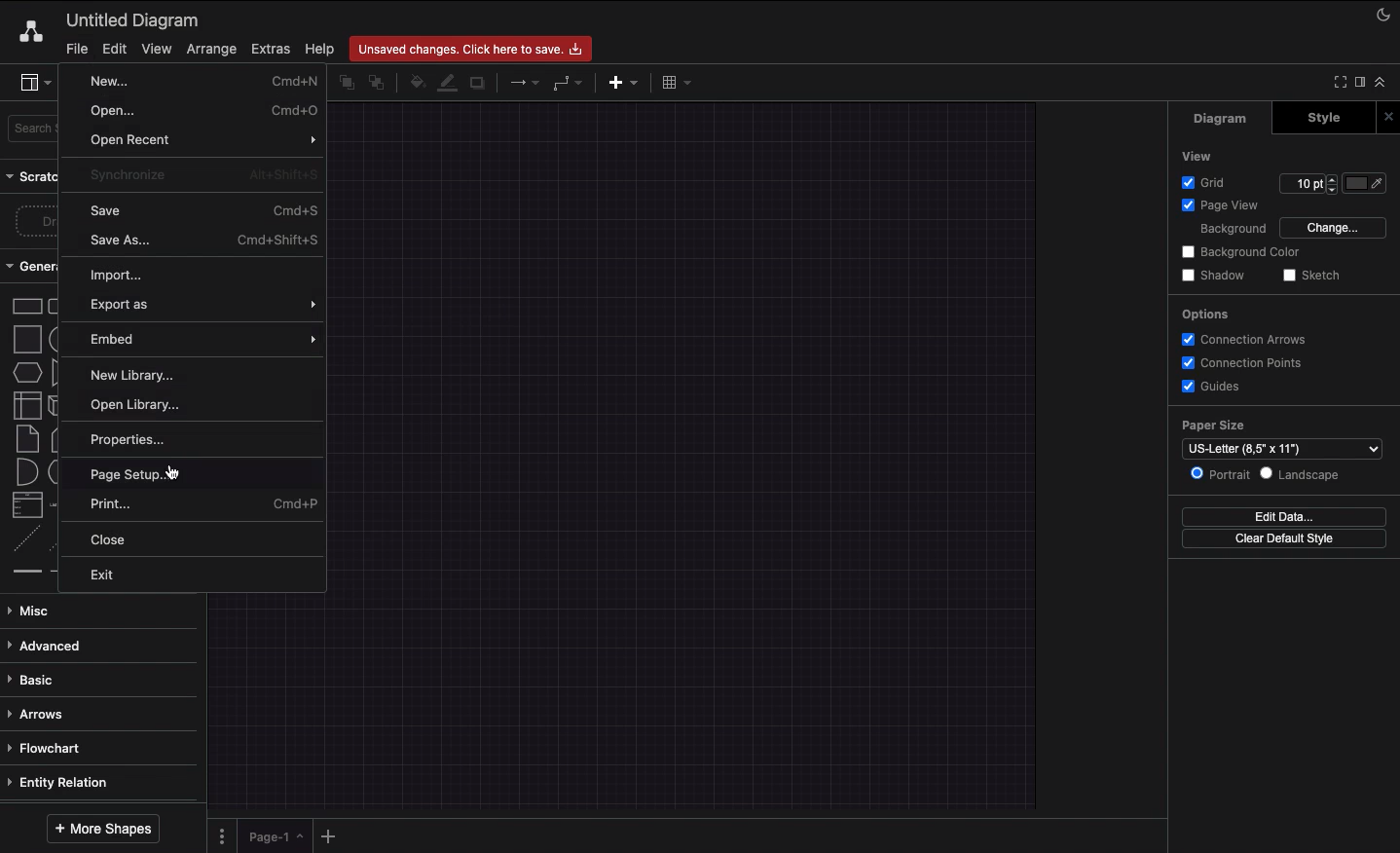  Describe the element at coordinates (36, 131) in the screenshot. I see `Search shapes` at that location.